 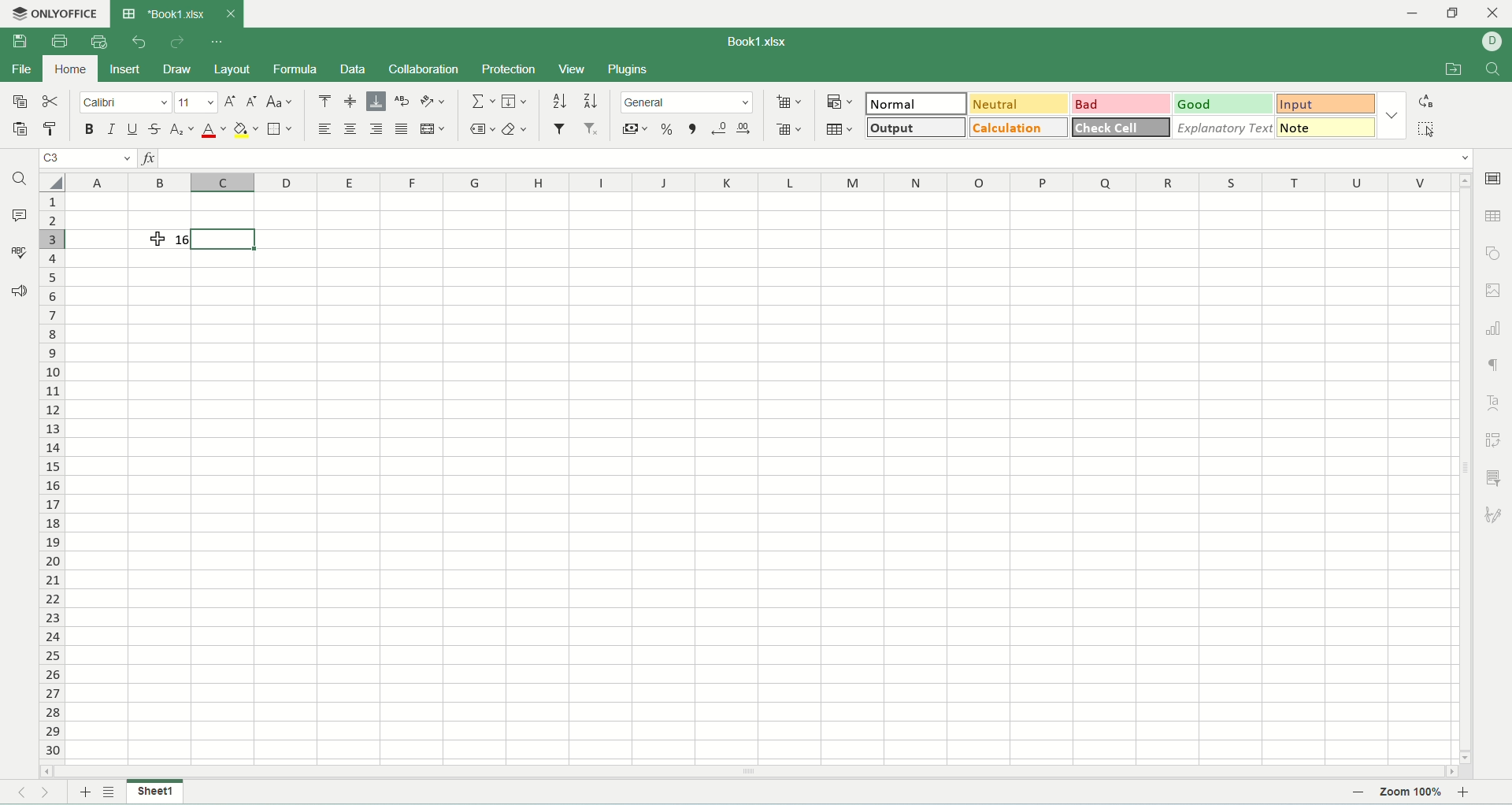 What do you see at coordinates (20, 101) in the screenshot?
I see `copy` at bounding box center [20, 101].